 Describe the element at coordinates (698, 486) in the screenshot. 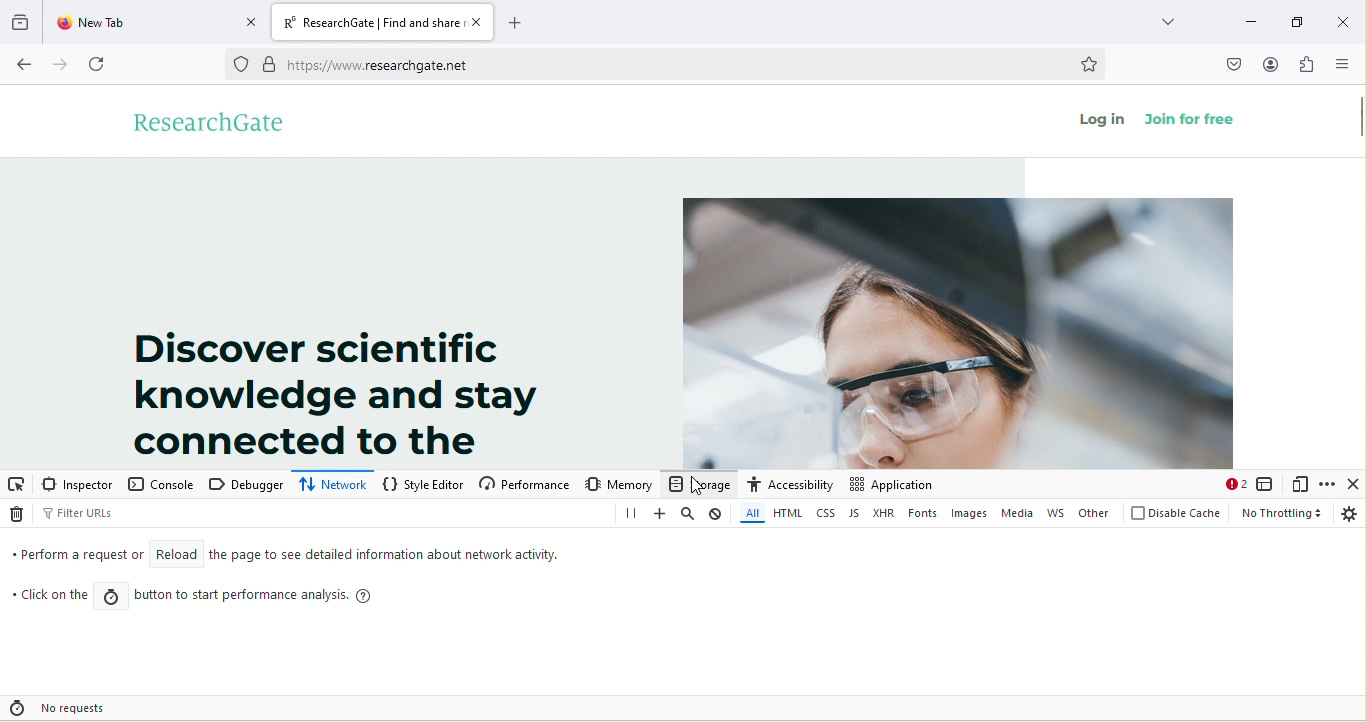

I see `cursor movement` at that location.